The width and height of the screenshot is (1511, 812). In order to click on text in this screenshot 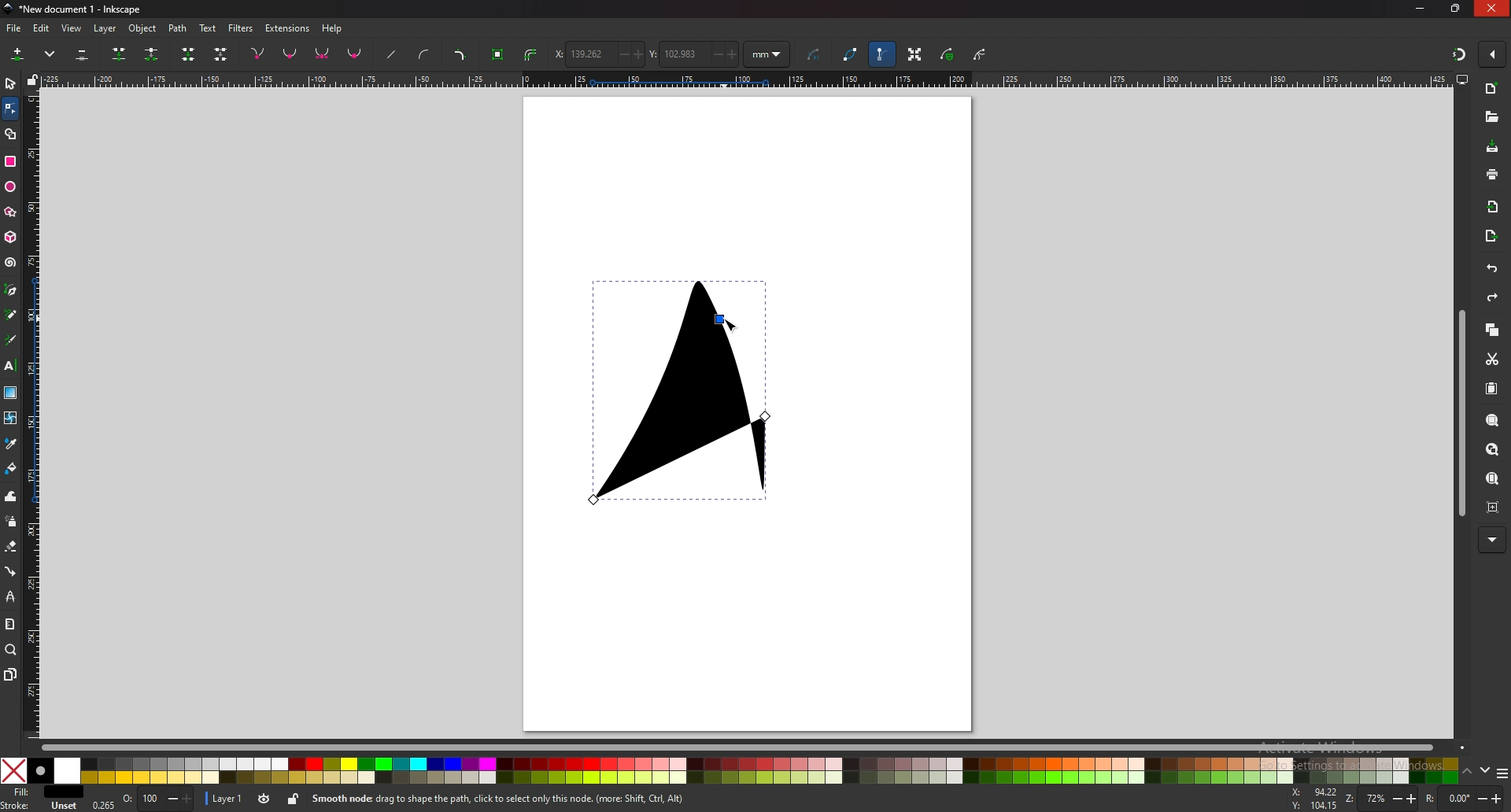, I will do `click(10, 365)`.